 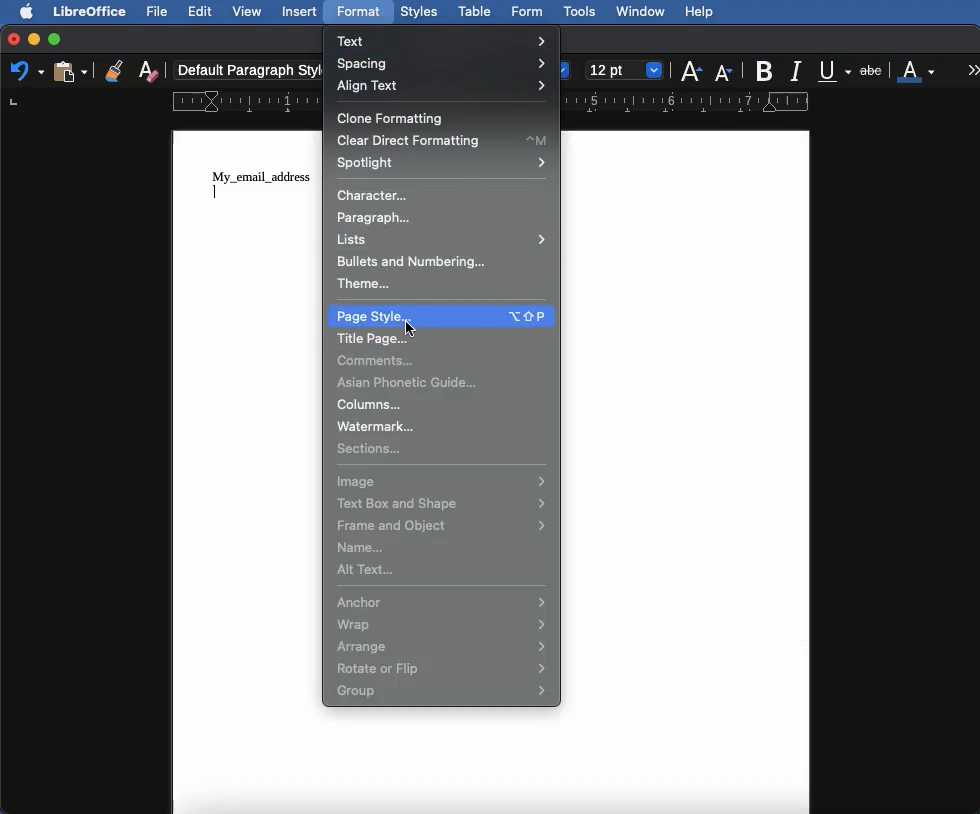 I want to click on Window, so click(x=641, y=12).